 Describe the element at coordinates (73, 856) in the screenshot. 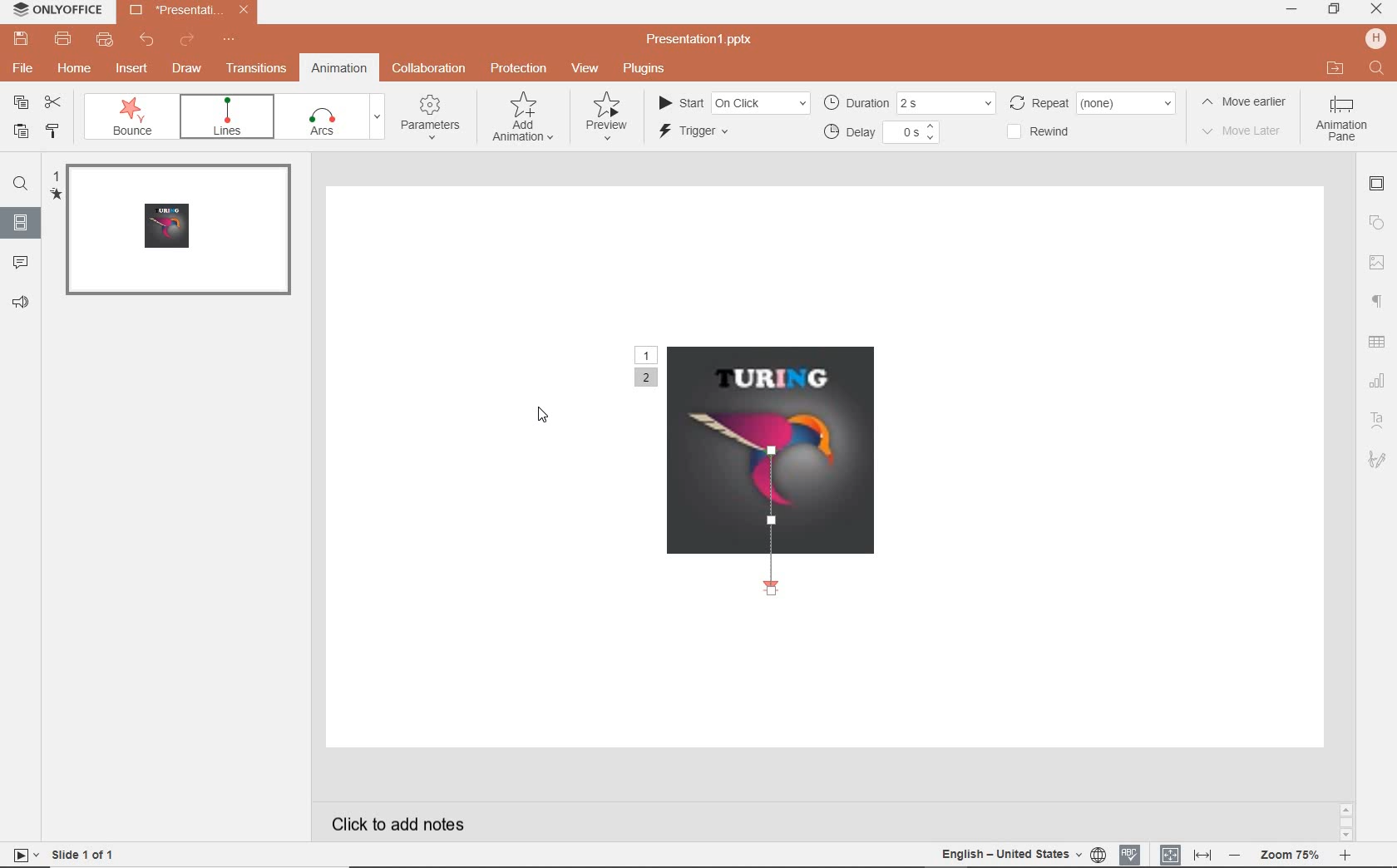

I see `slide 1 of 1` at that location.